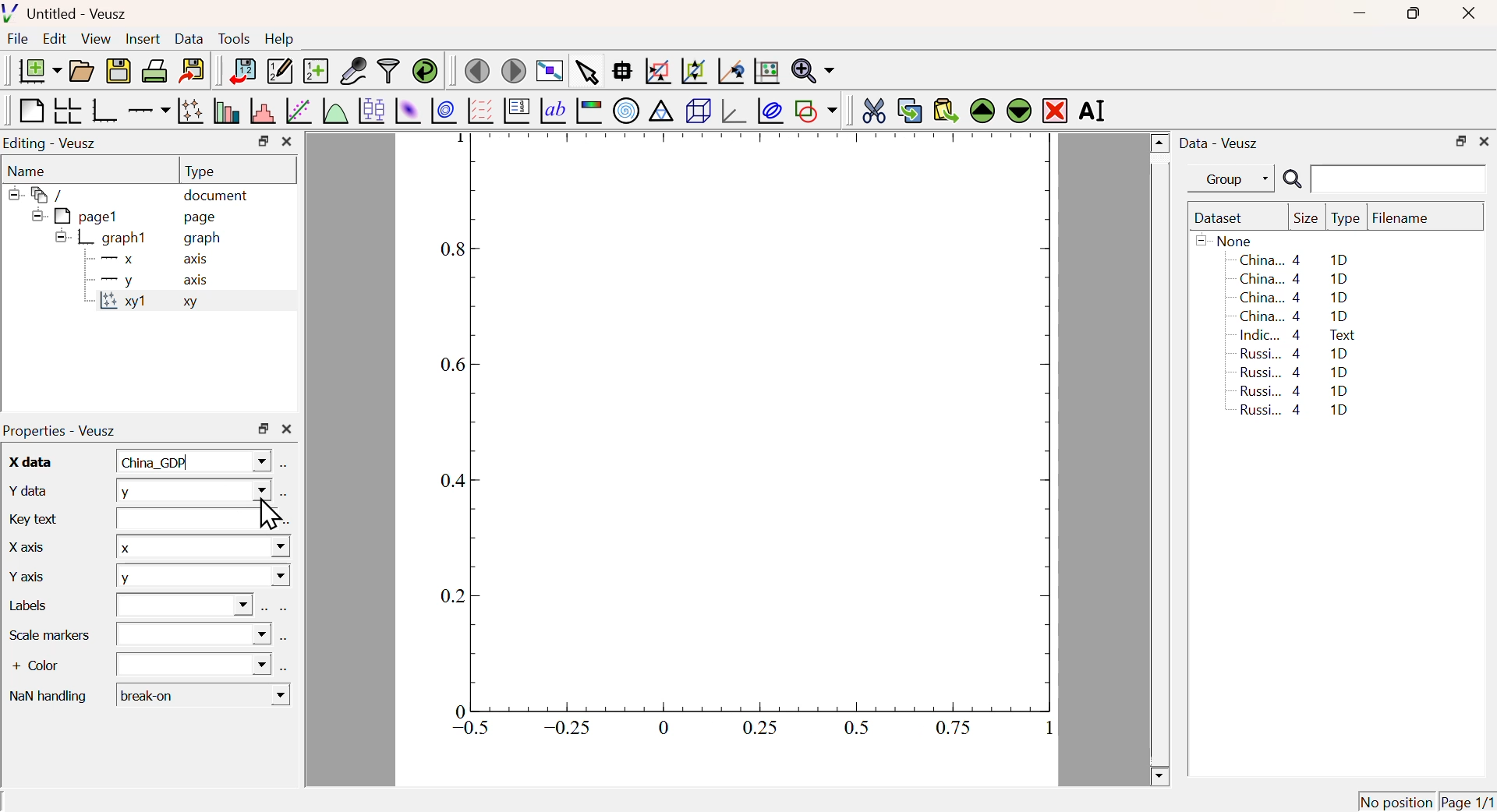 Image resolution: width=1497 pixels, height=812 pixels. What do you see at coordinates (1297, 335) in the screenshot?
I see `Indic... 4 Text` at bounding box center [1297, 335].